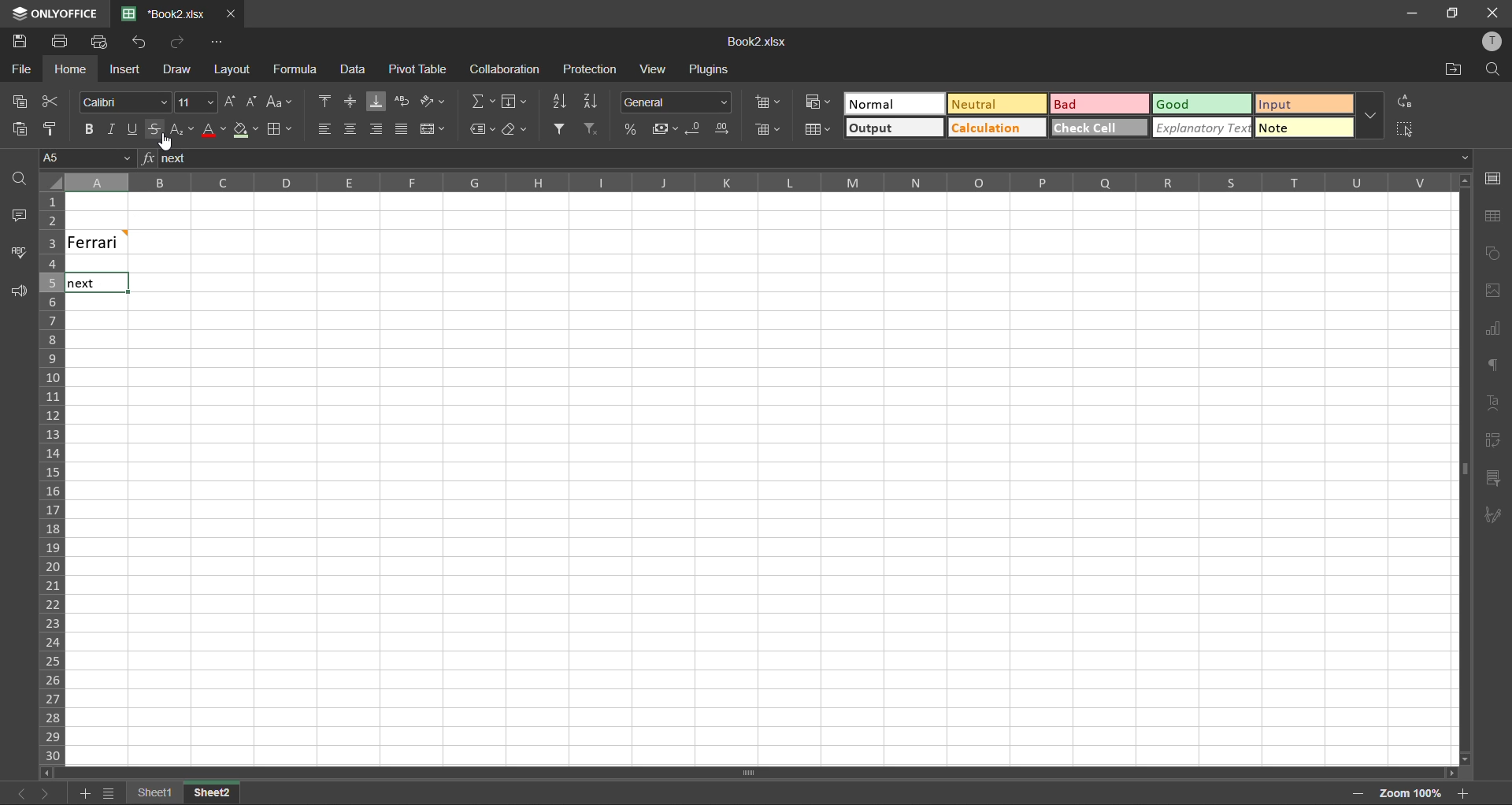 Image resolution: width=1512 pixels, height=805 pixels. What do you see at coordinates (1355, 795) in the screenshot?
I see `zoom out` at bounding box center [1355, 795].